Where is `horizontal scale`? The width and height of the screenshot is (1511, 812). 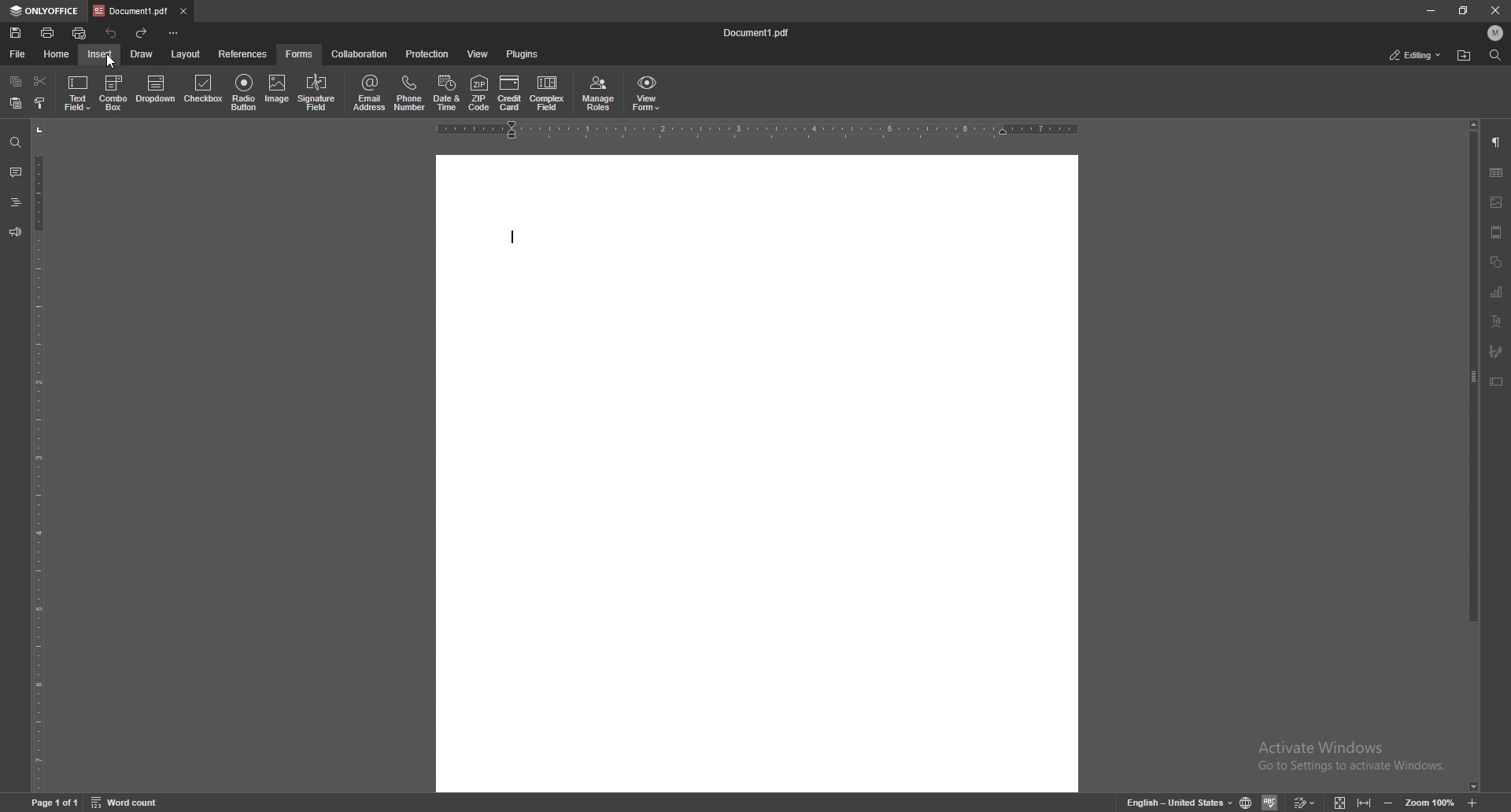
horizontal scale is located at coordinates (758, 129).